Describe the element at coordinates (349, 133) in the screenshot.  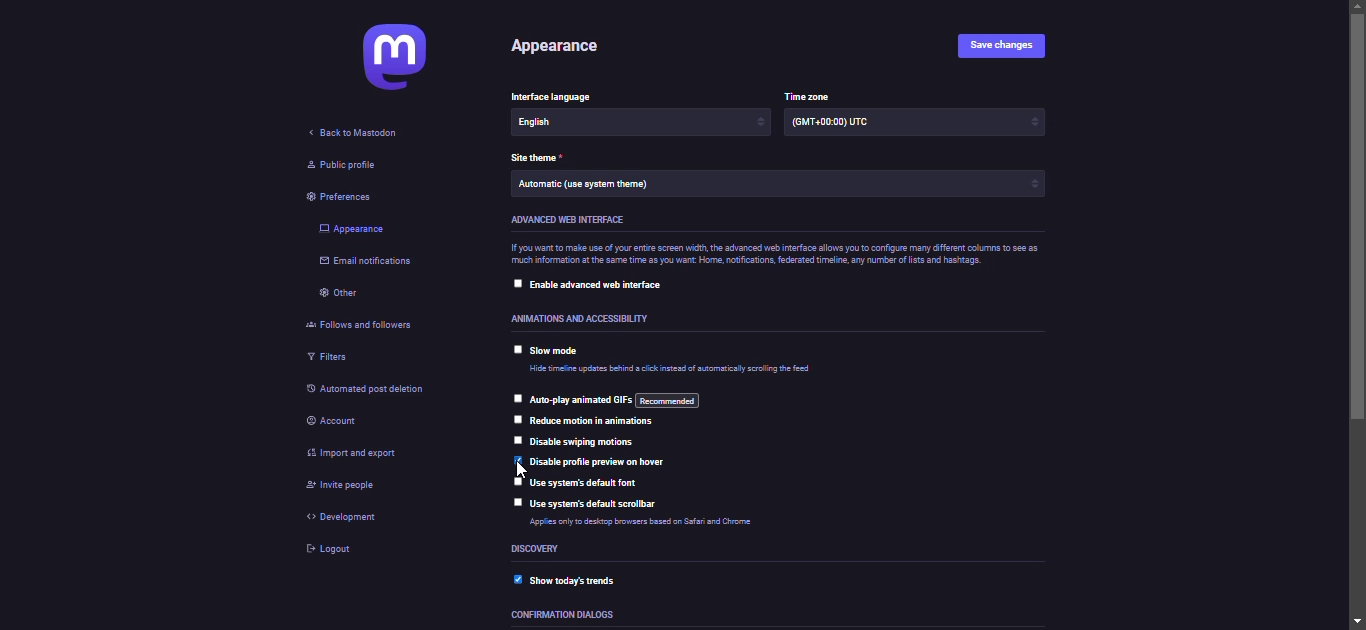
I see `back to mastodon` at that location.